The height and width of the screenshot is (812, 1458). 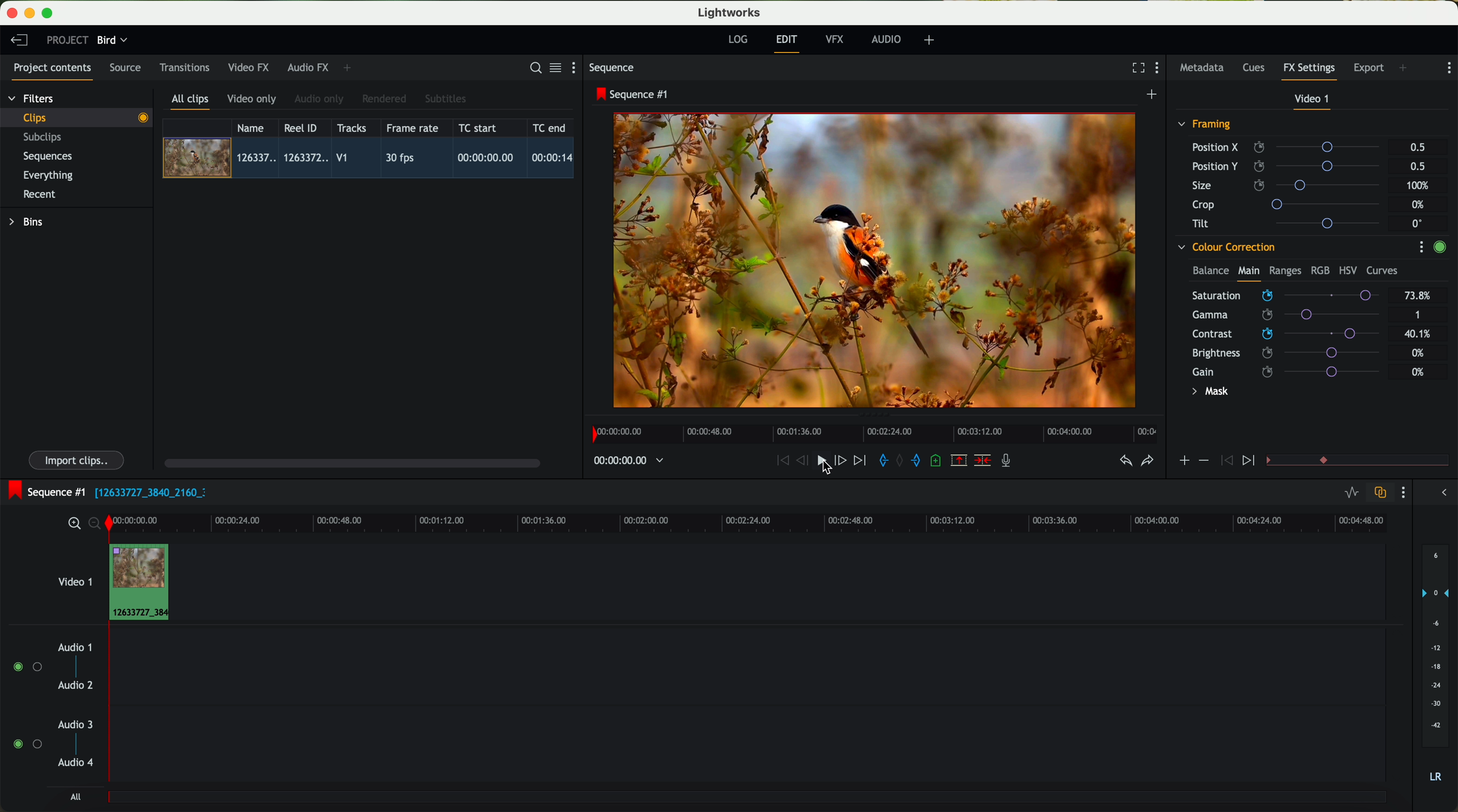 What do you see at coordinates (877, 260) in the screenshot?
I see `applied effect` at bounding box center [877, 260].